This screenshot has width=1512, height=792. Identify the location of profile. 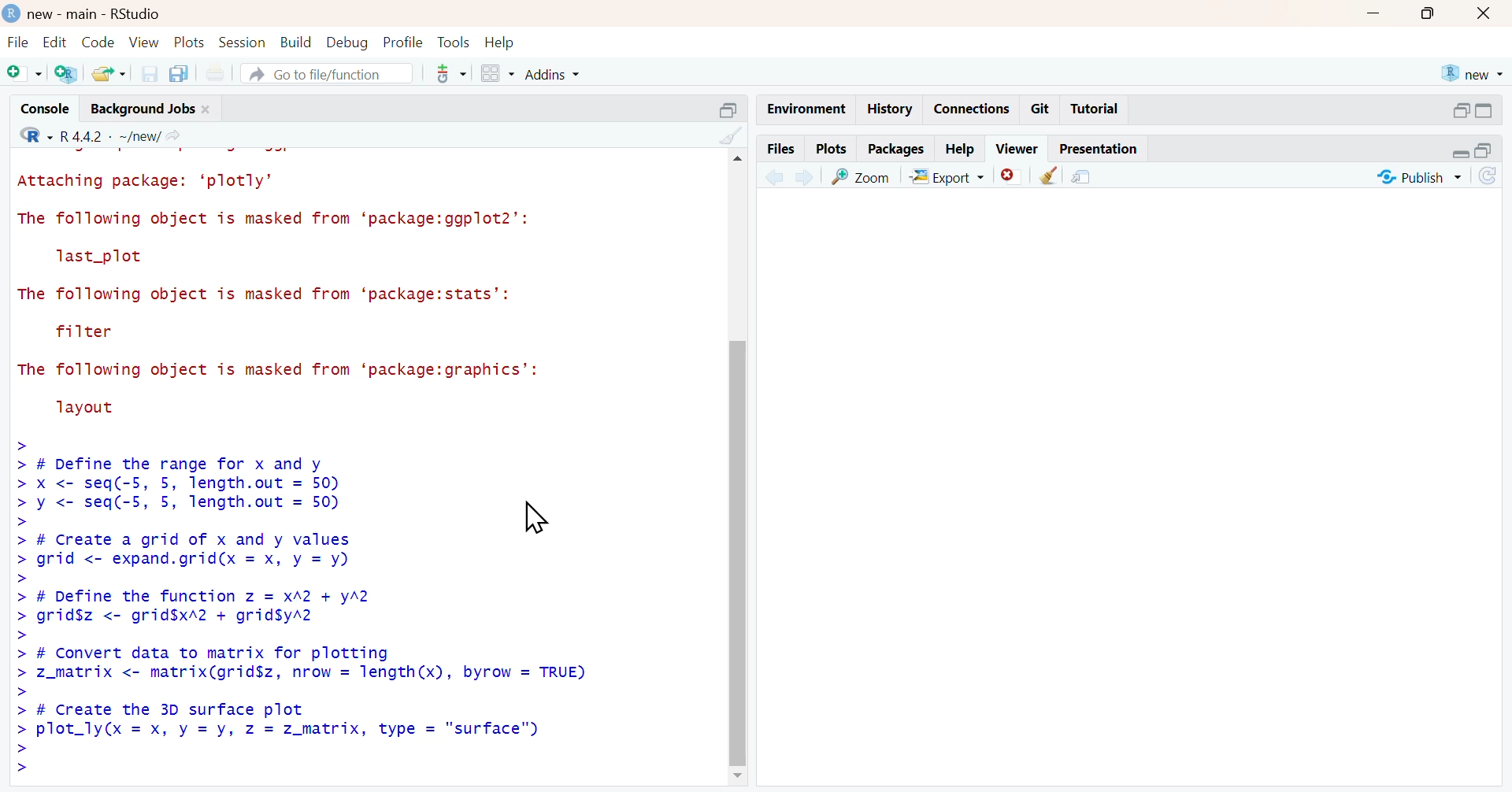
(401, 41).